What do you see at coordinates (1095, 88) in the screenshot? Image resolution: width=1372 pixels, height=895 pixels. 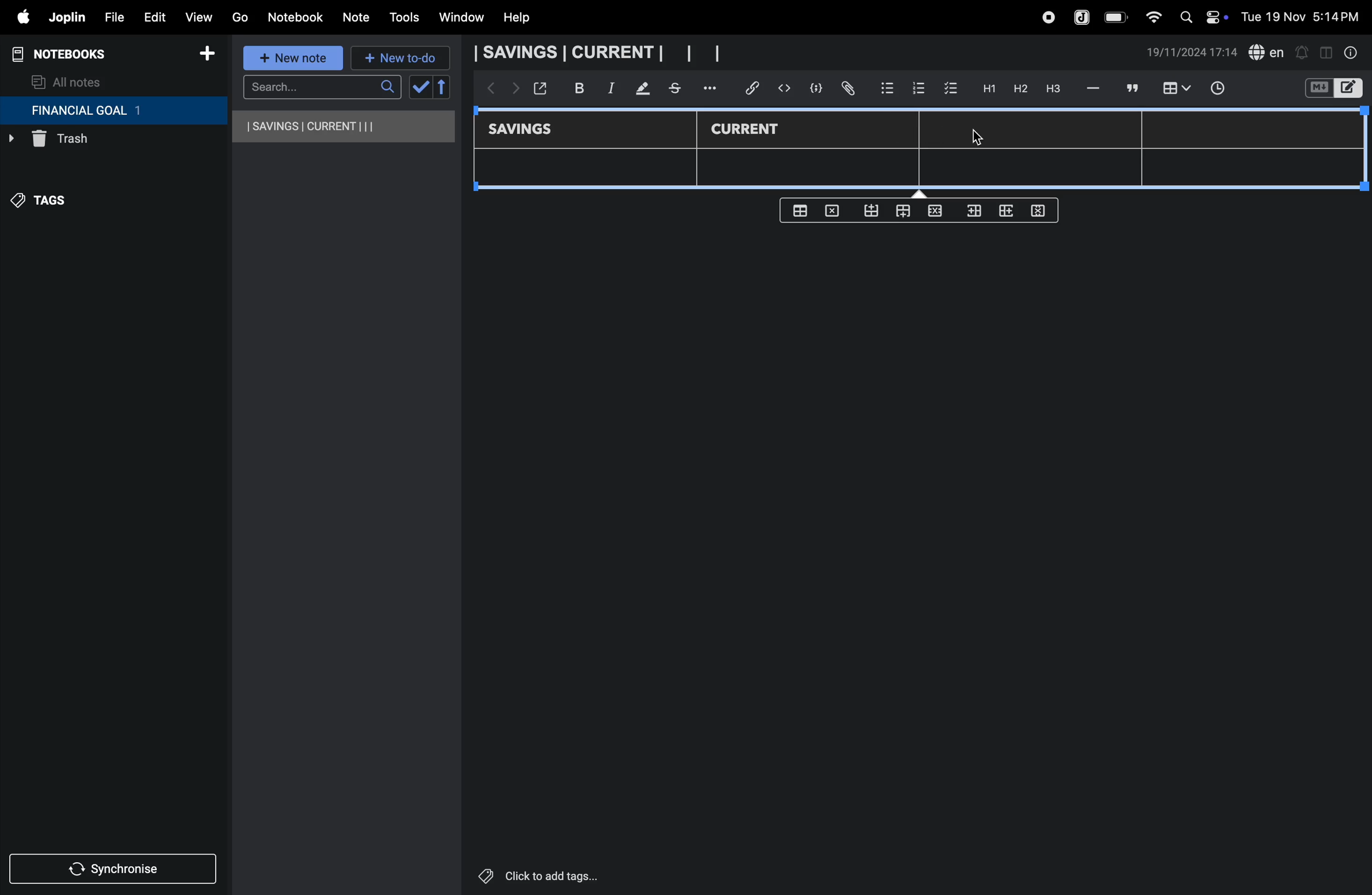 I see `hifen` at bounding box center [1095, 88].